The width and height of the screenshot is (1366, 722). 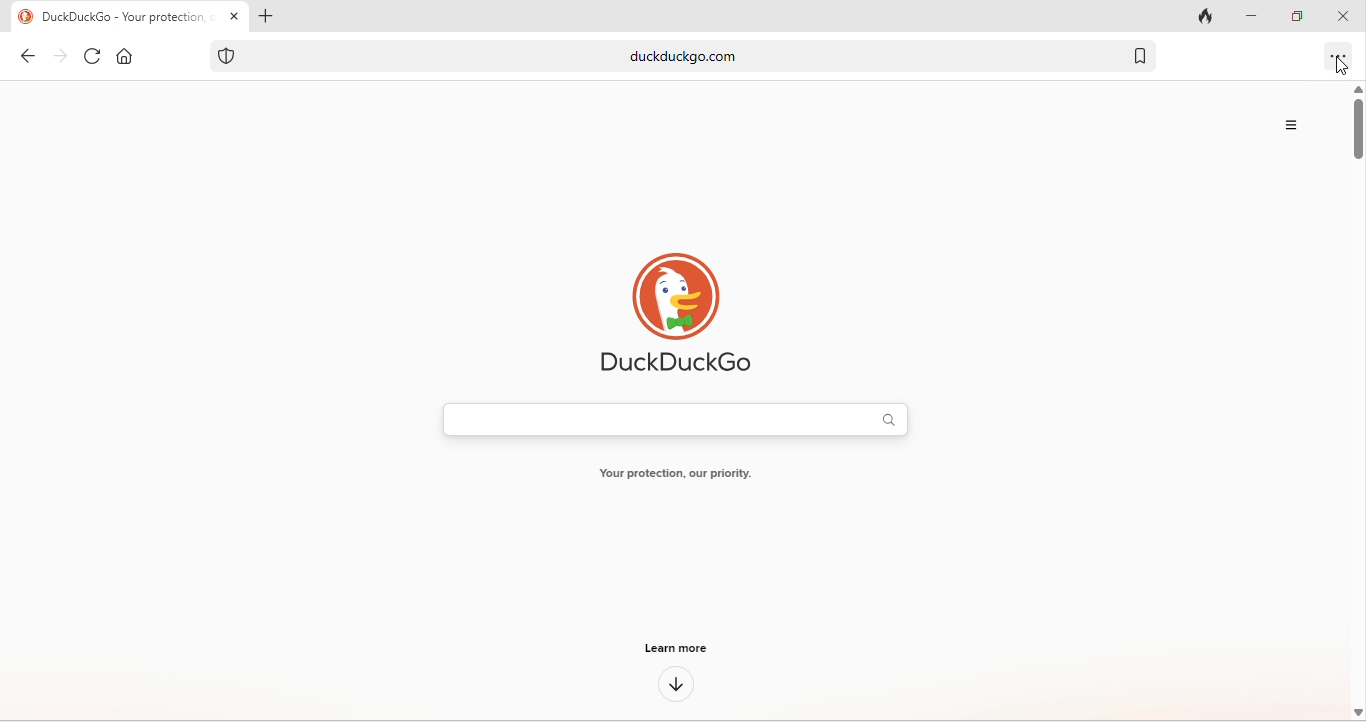 What do you see at coordinates (1296, 16) in the screenshot?
I see `maximize` at bounding box center [1296, 16].